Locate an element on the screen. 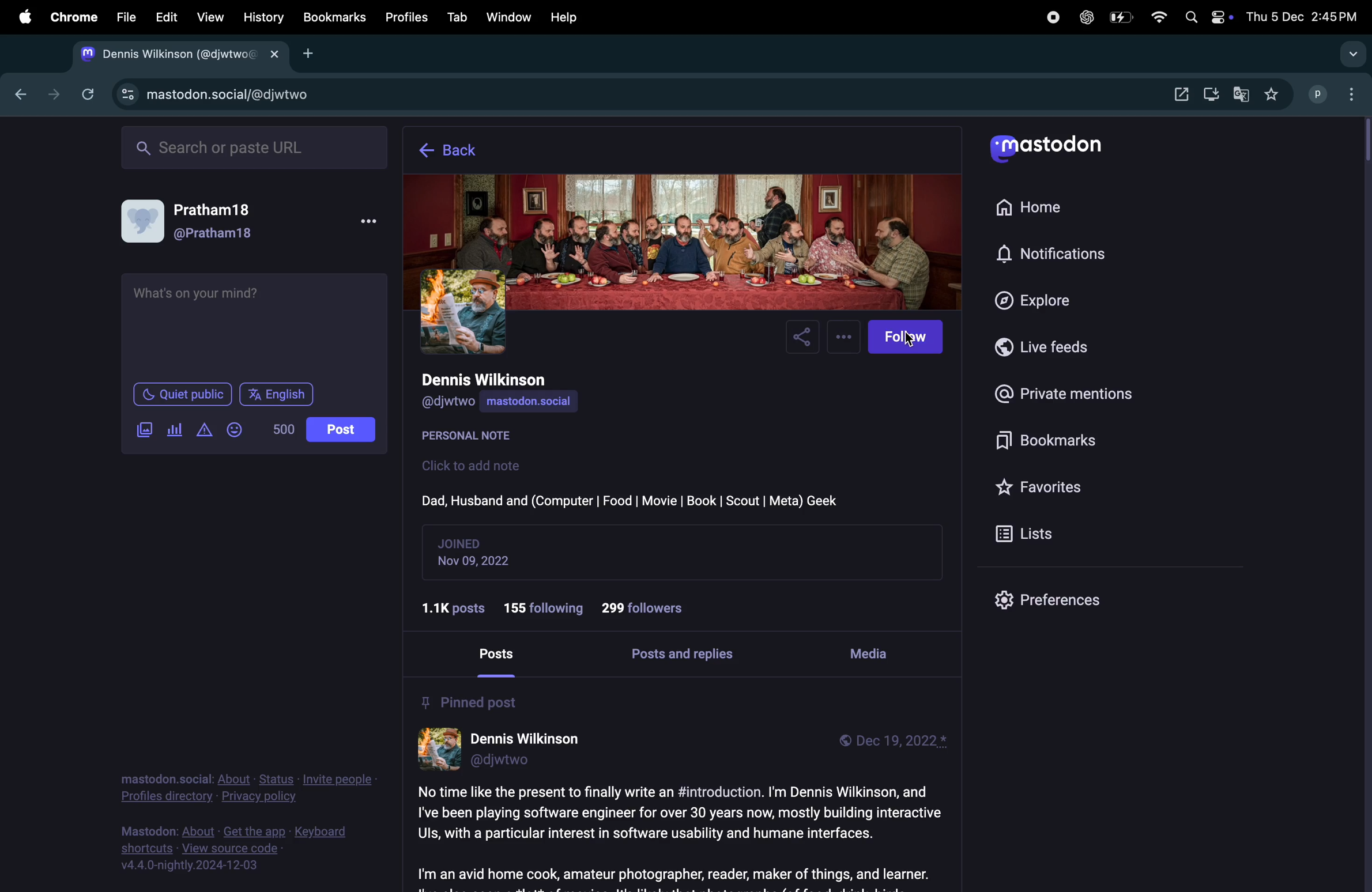  share is located at coordinates (804, 339).